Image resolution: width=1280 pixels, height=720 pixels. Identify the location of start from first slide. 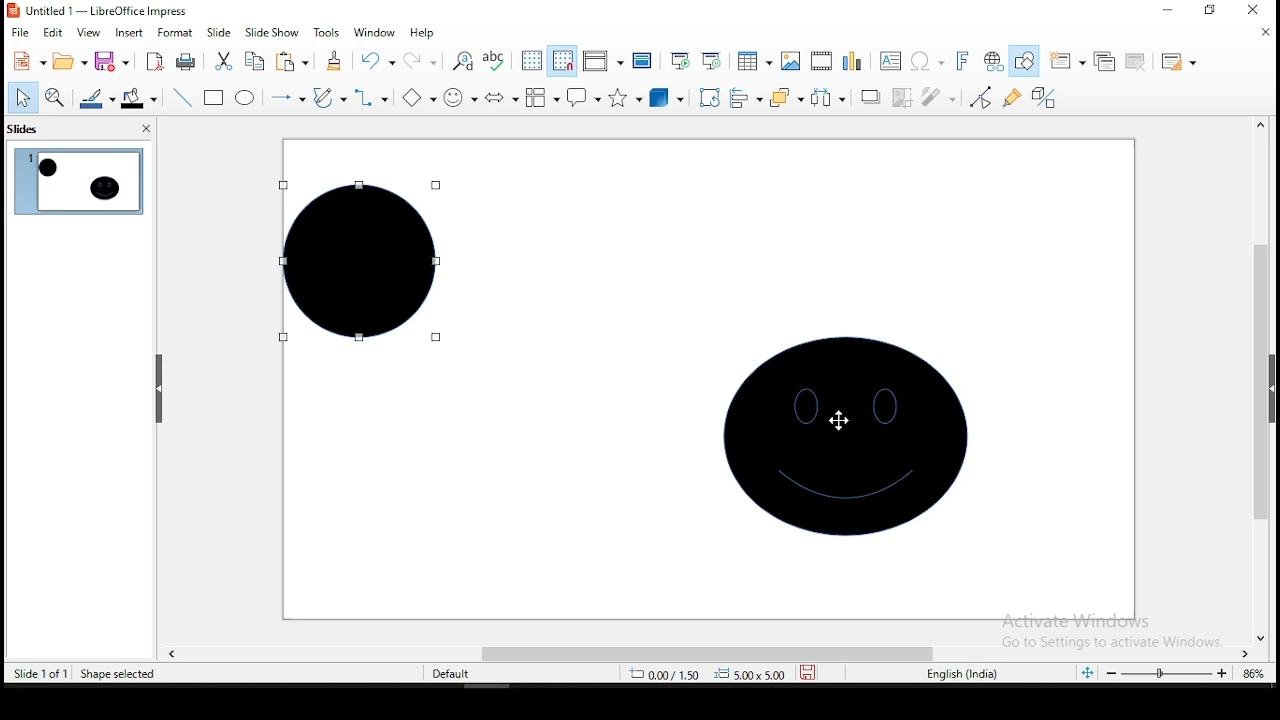
(680, 61).